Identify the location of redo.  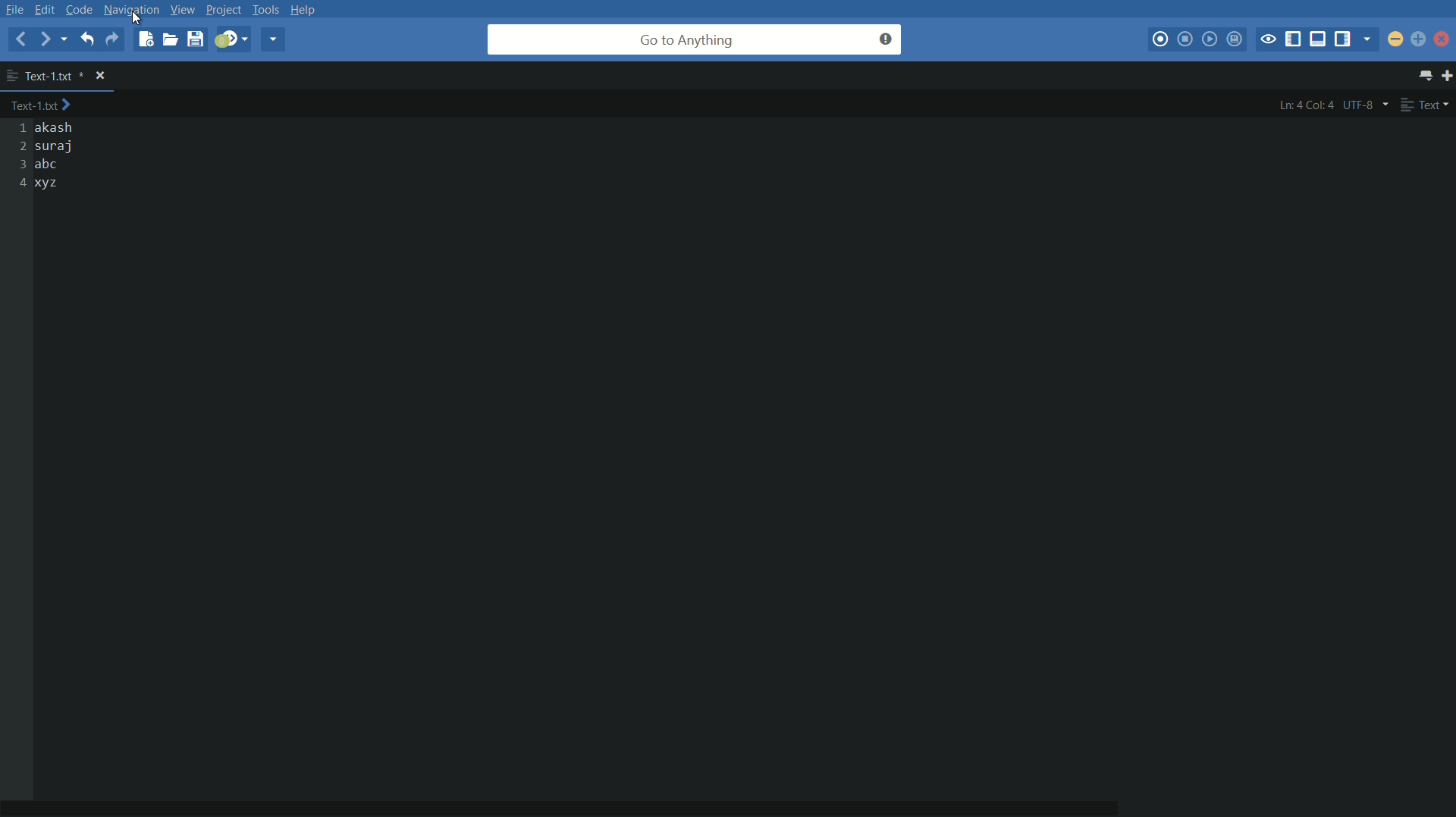
(111, 38).